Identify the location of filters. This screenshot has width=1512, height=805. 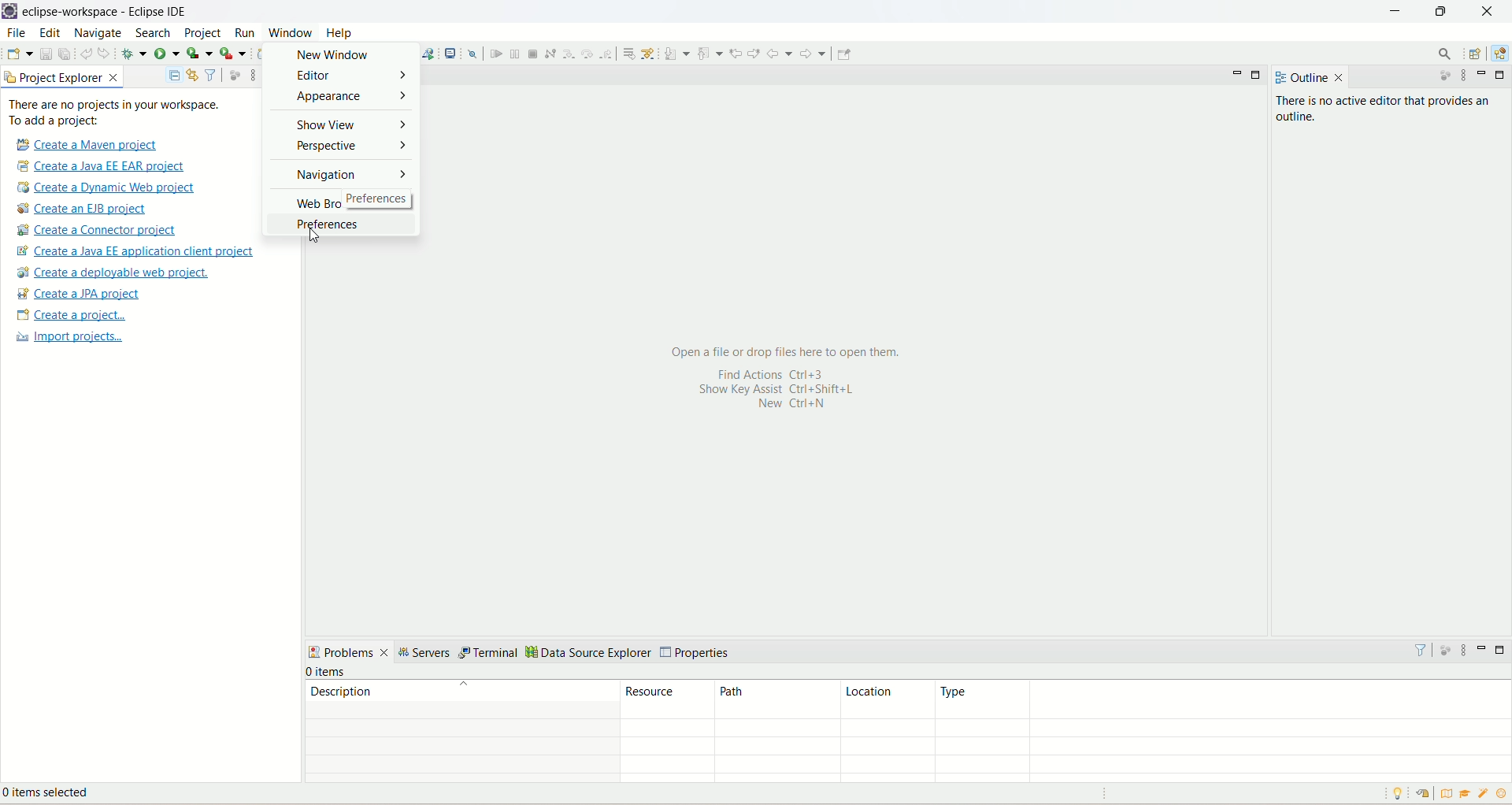
(1420, 649).